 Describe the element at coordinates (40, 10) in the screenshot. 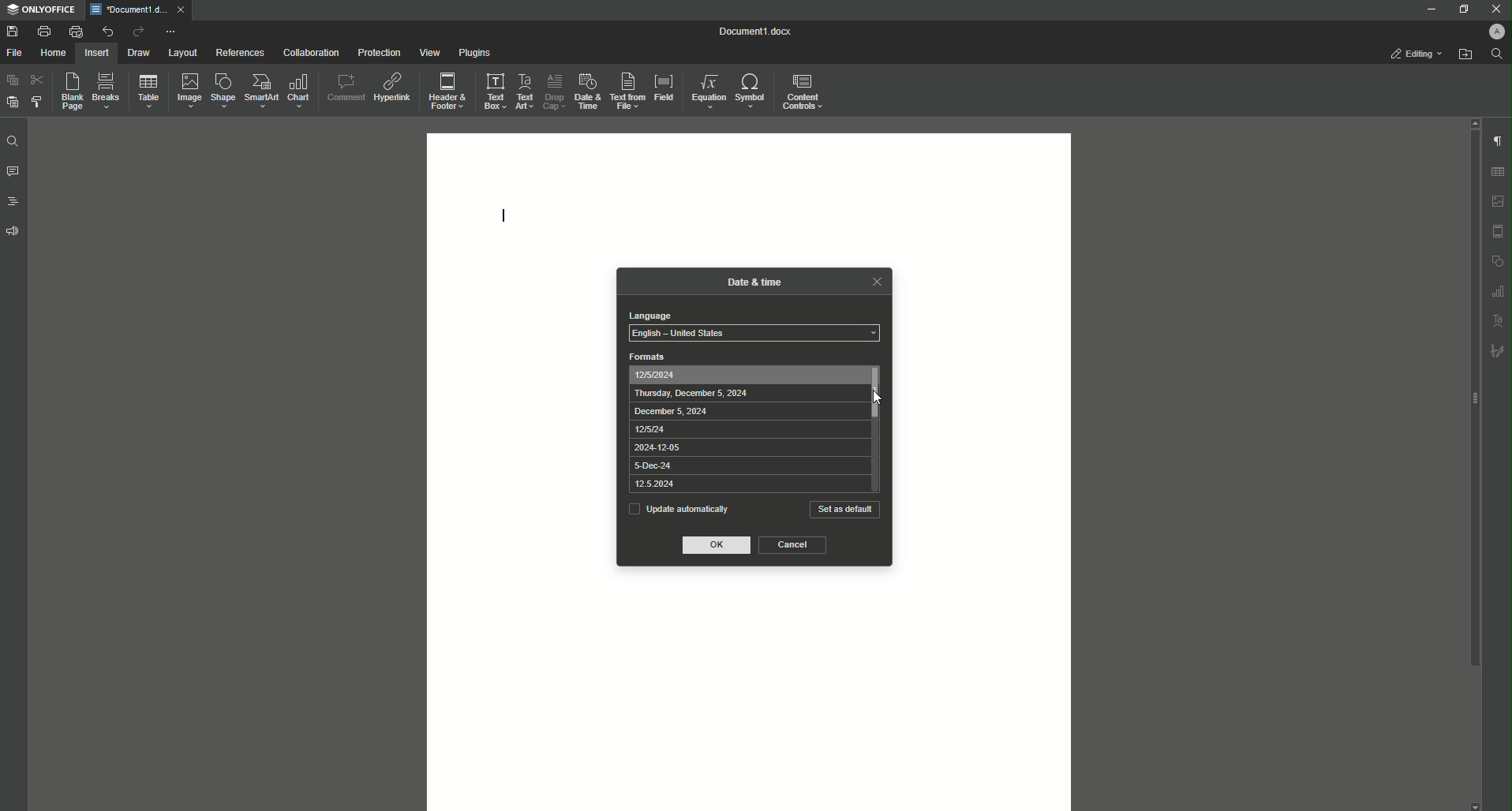

I see `ONLYOFFICE` at that location.